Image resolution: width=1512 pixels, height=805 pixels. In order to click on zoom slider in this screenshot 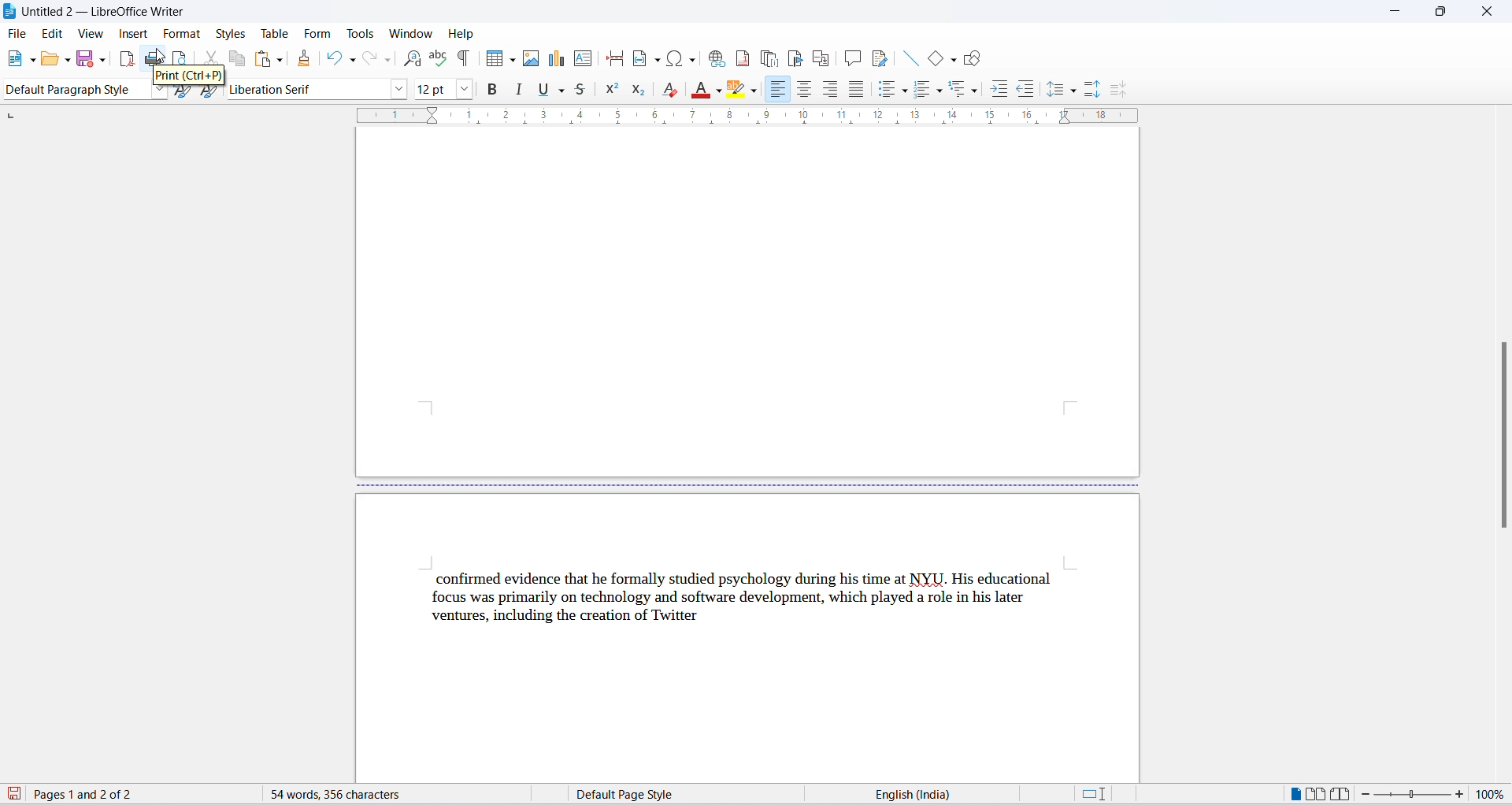, I will do `click(1414, 795)`.